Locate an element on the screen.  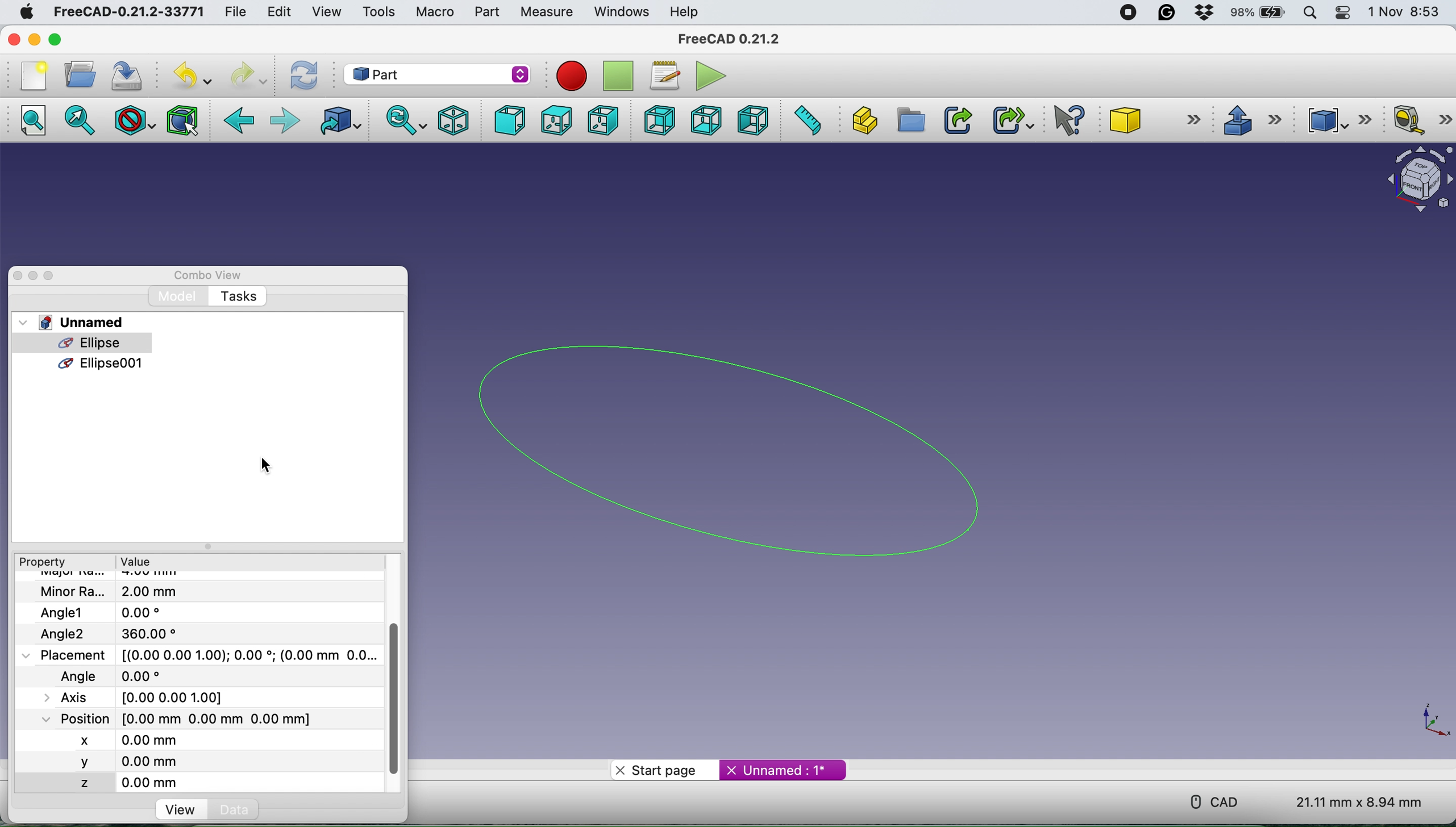
extrude is located at coordinates (1254, 122).